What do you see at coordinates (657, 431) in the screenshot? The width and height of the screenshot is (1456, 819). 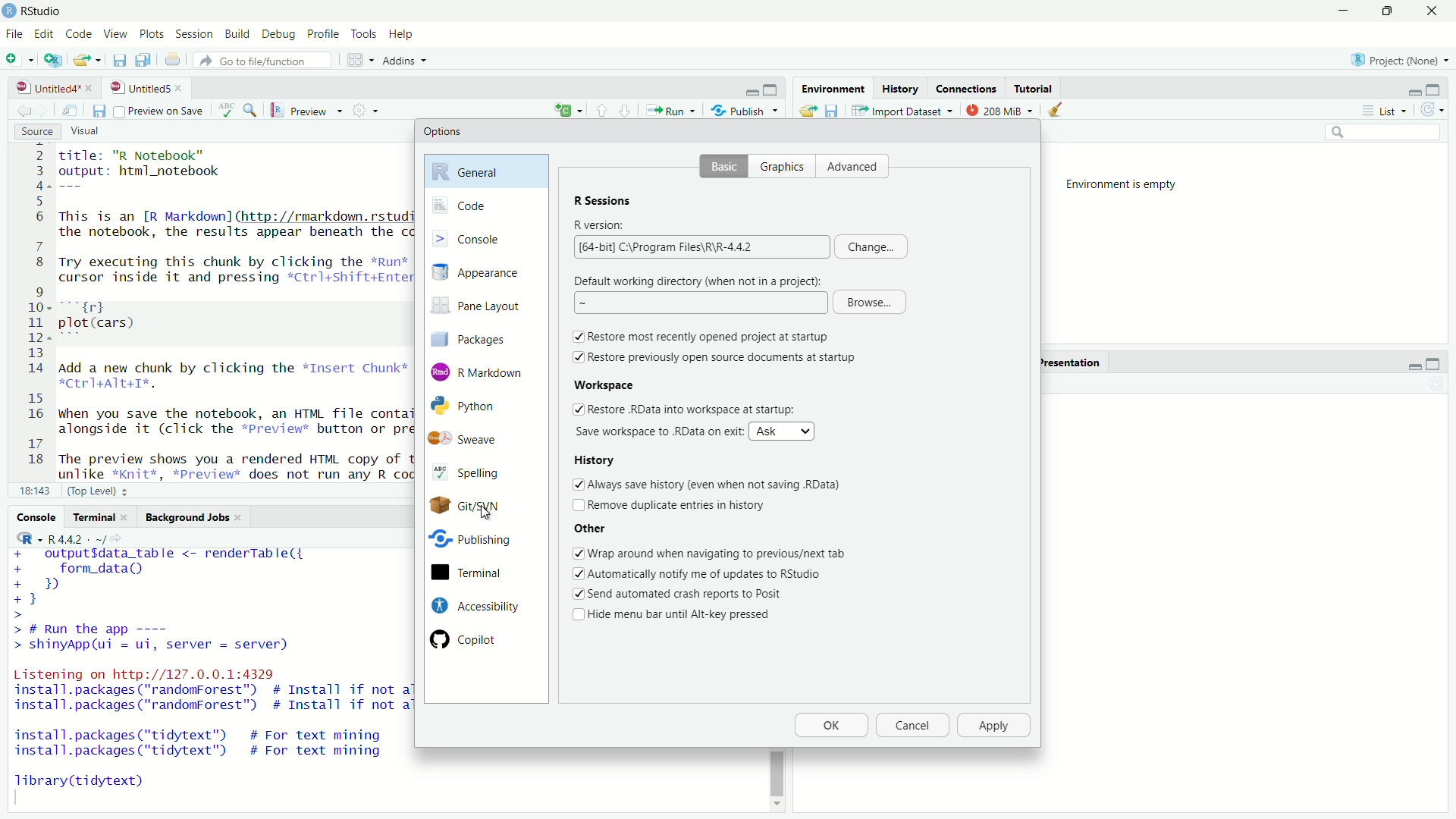 I see `Save workspace to .RData on exit:` at bounding box center [657, 431].